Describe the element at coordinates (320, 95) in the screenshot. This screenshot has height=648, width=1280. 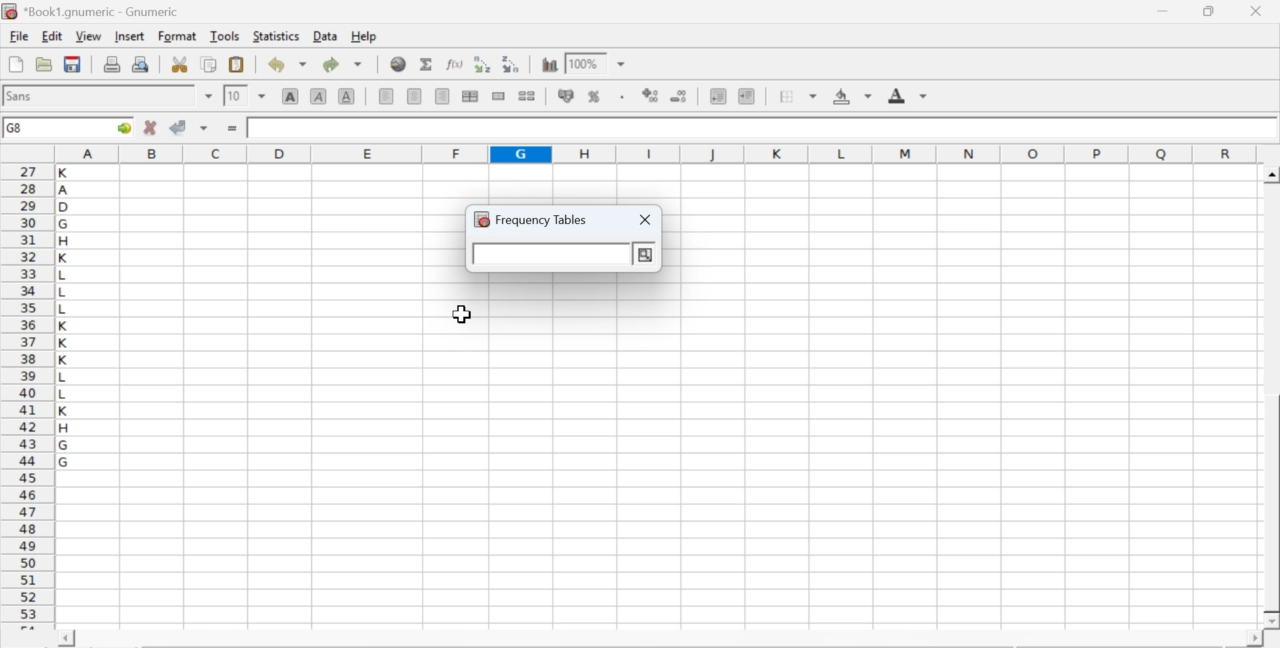
I see `italic` at that location.